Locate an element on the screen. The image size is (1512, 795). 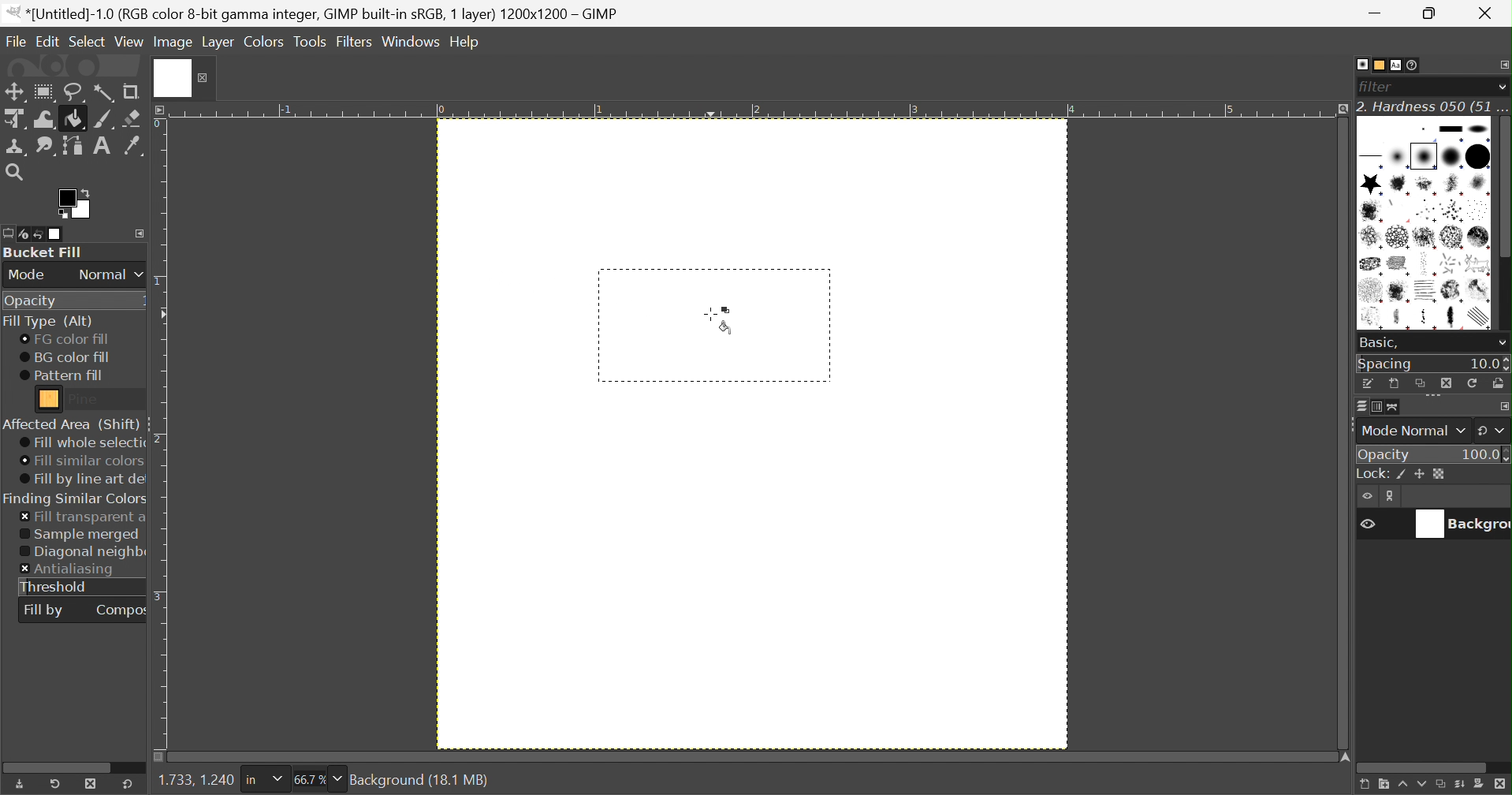
Minimize is located at coordinates (1377, 13).